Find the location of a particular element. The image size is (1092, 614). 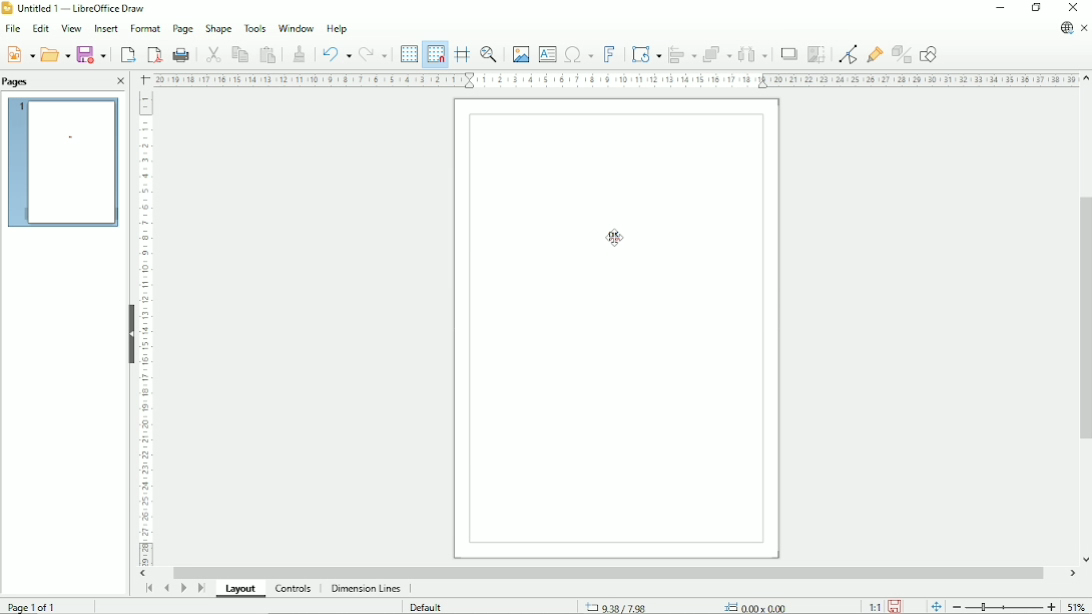

Vertical scroll button is located at coordinates (1084, 560).